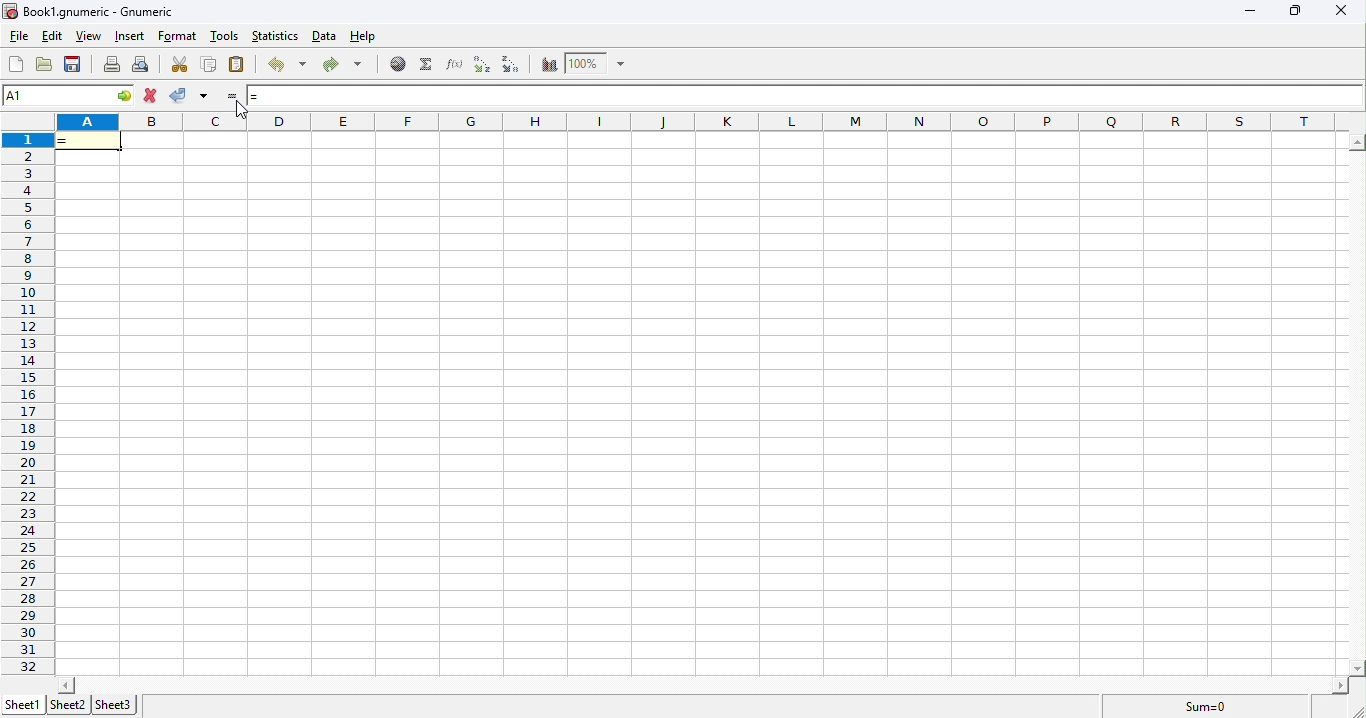 The width and height of the screenshot is (1366, 718). Describe the element at coordinates (482, 65) in the screenshot. I see `sort ascending` at that location.